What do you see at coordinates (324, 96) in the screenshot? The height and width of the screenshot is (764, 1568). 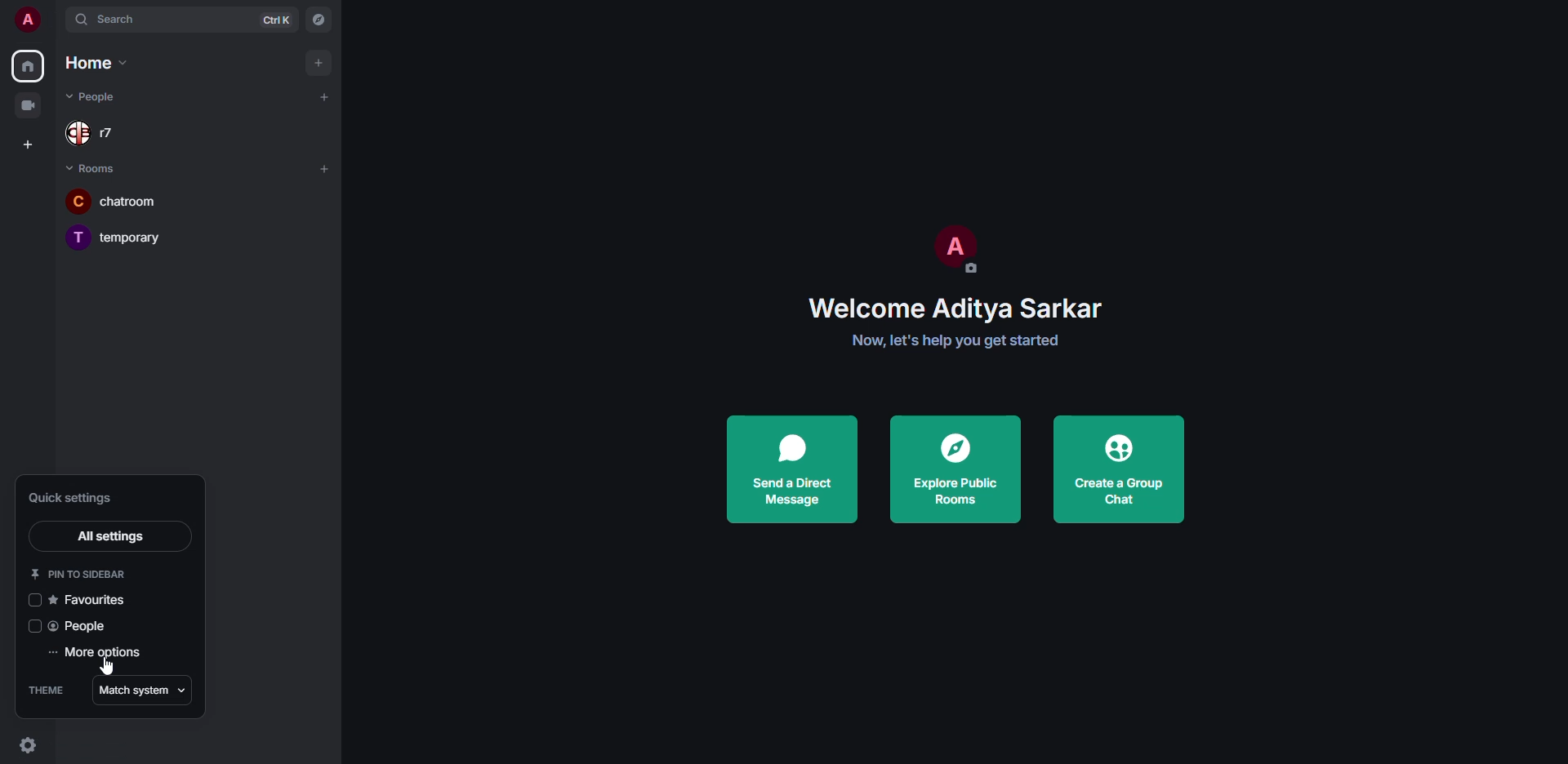 I see `add` at bounding box center [324, 96].